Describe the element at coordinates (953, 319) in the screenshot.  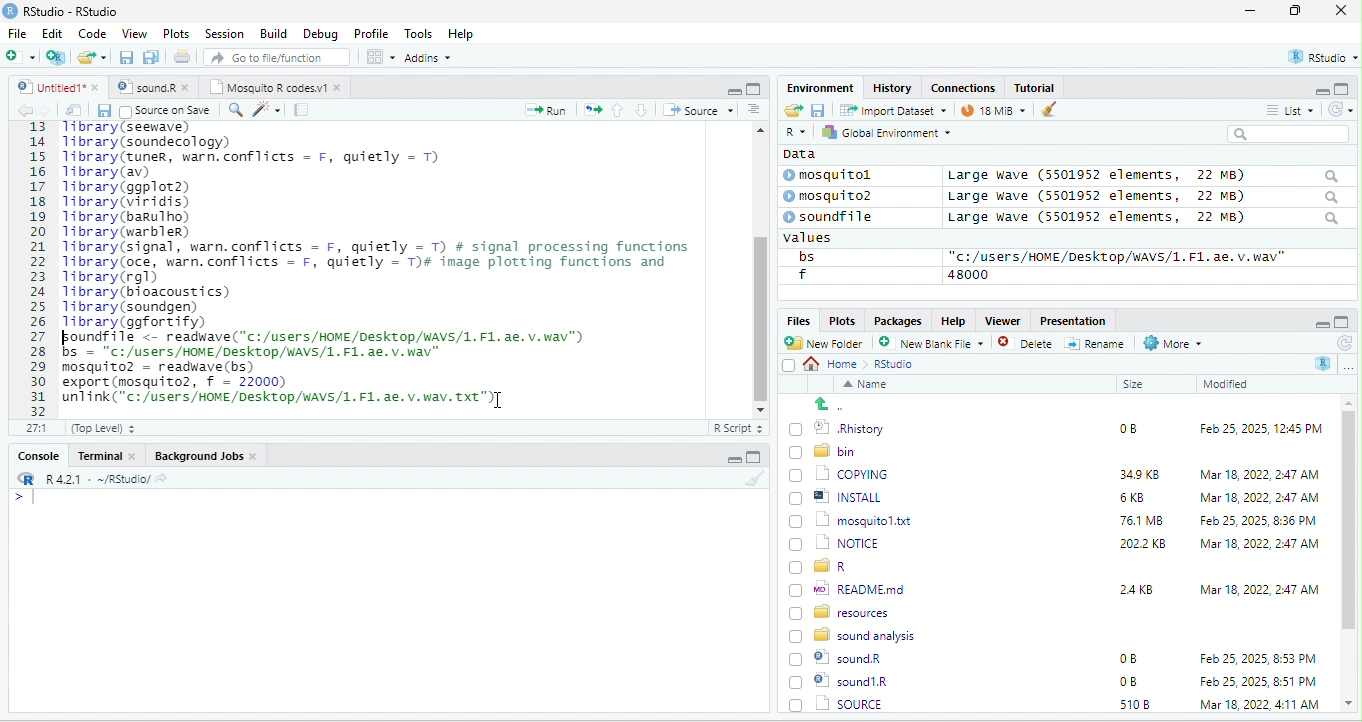
I see `Help` at that location.